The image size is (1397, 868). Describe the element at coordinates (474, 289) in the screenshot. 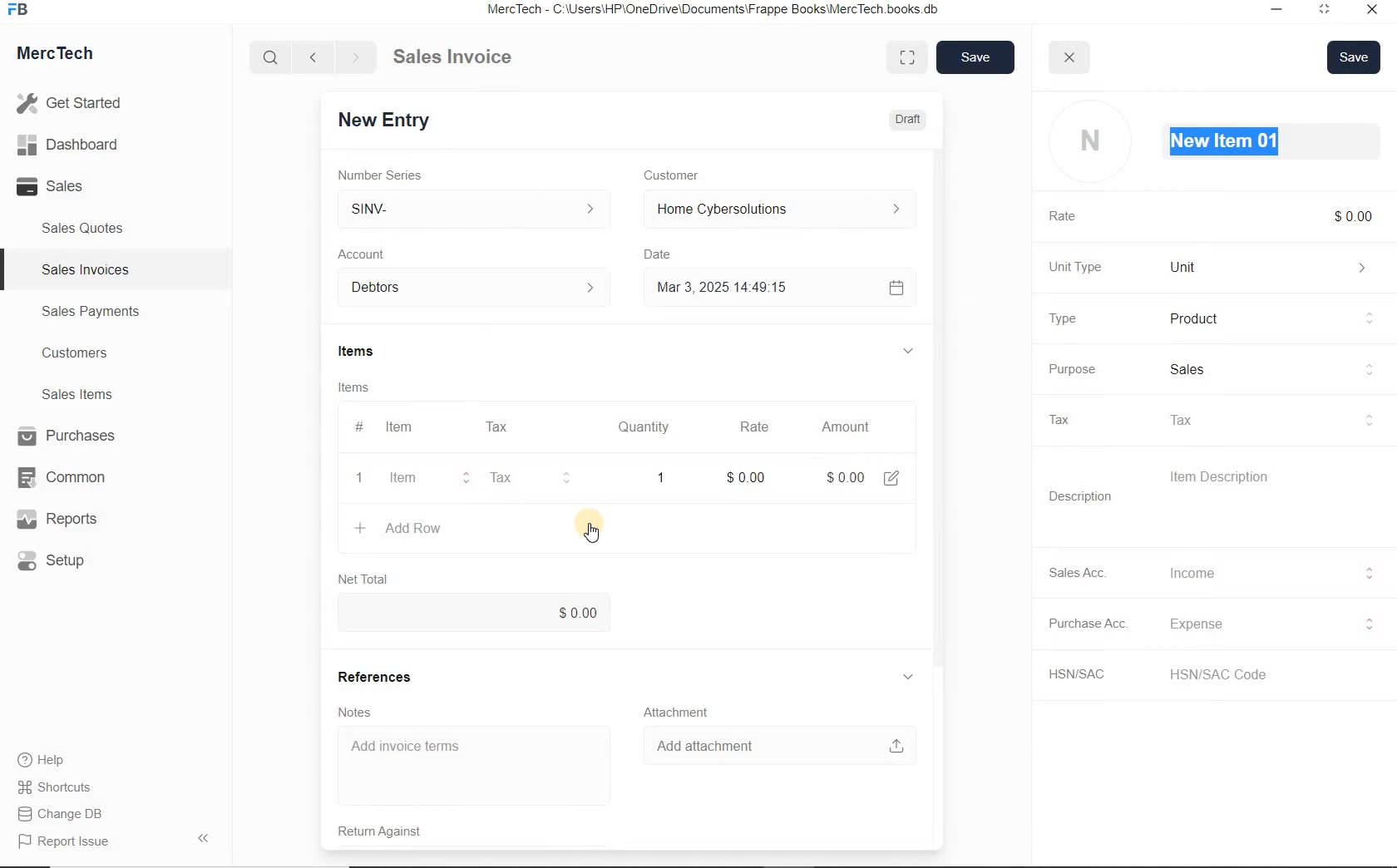

I see `Account dropdown` at that location.